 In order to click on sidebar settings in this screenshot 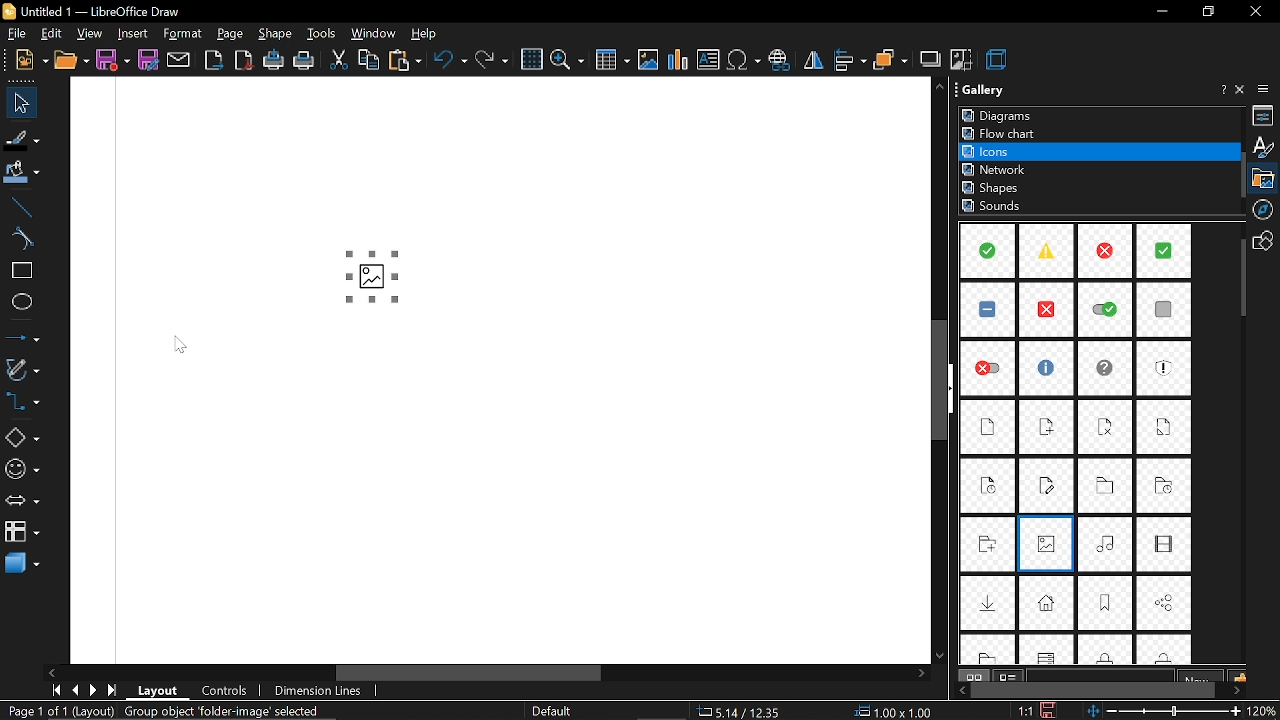, I will do `click(1266, 89)`.